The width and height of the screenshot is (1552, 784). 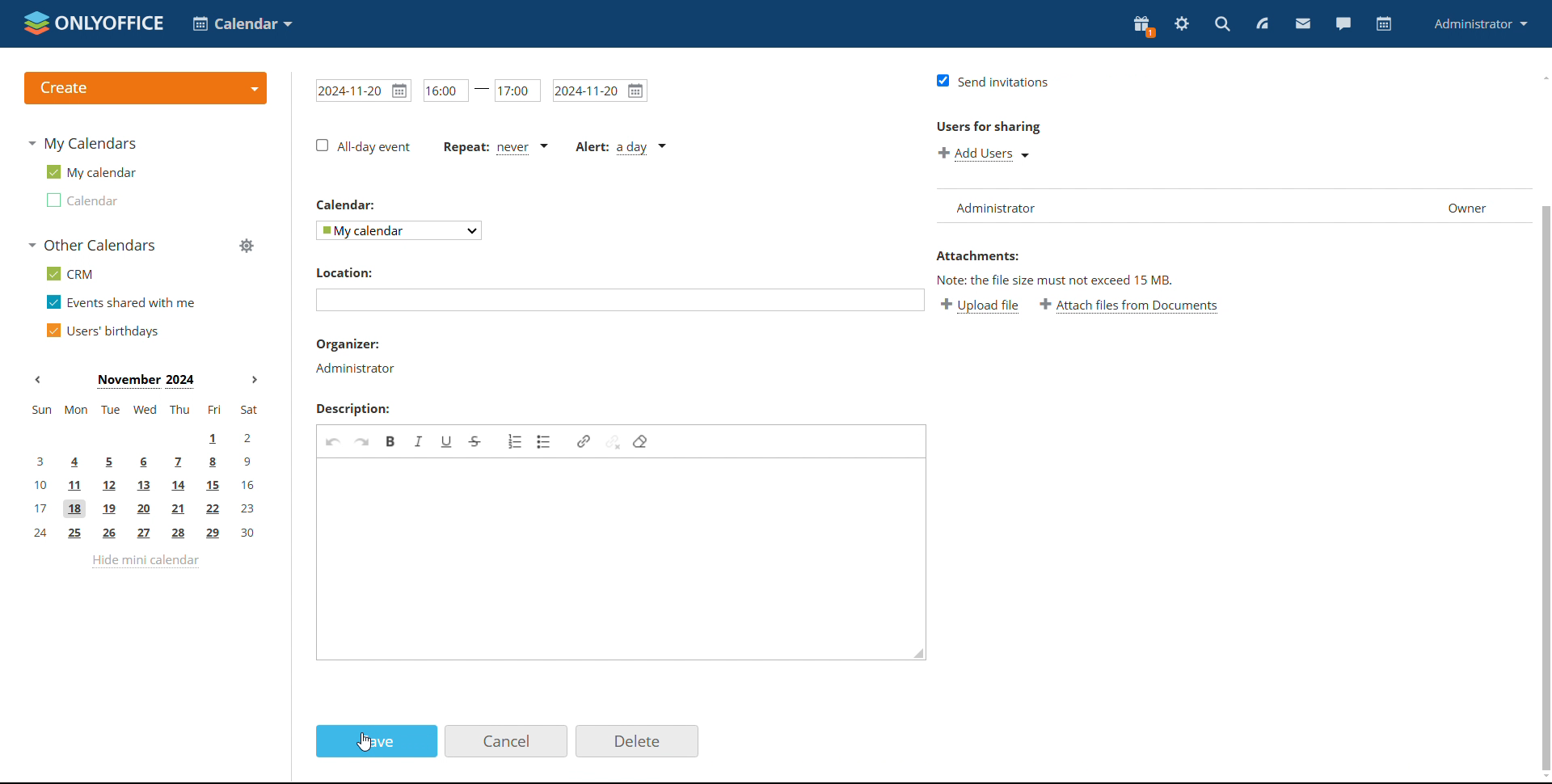 What do you see at coordinates (333, 441) in the screenshot?
I see `Undo` at bounding box center [333, 441].